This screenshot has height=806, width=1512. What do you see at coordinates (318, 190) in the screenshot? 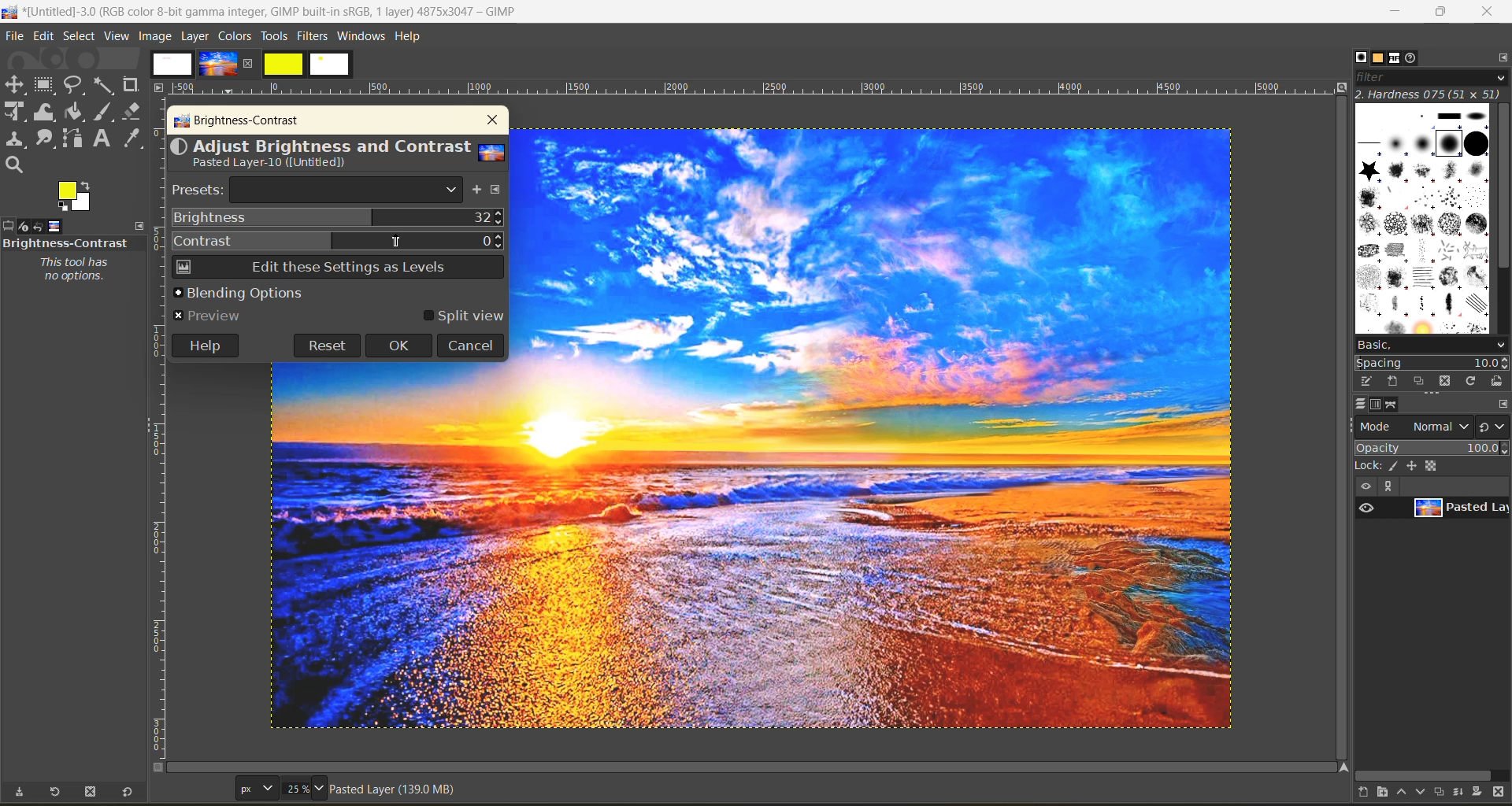
I see `presets` at bounding box center [318, 190].